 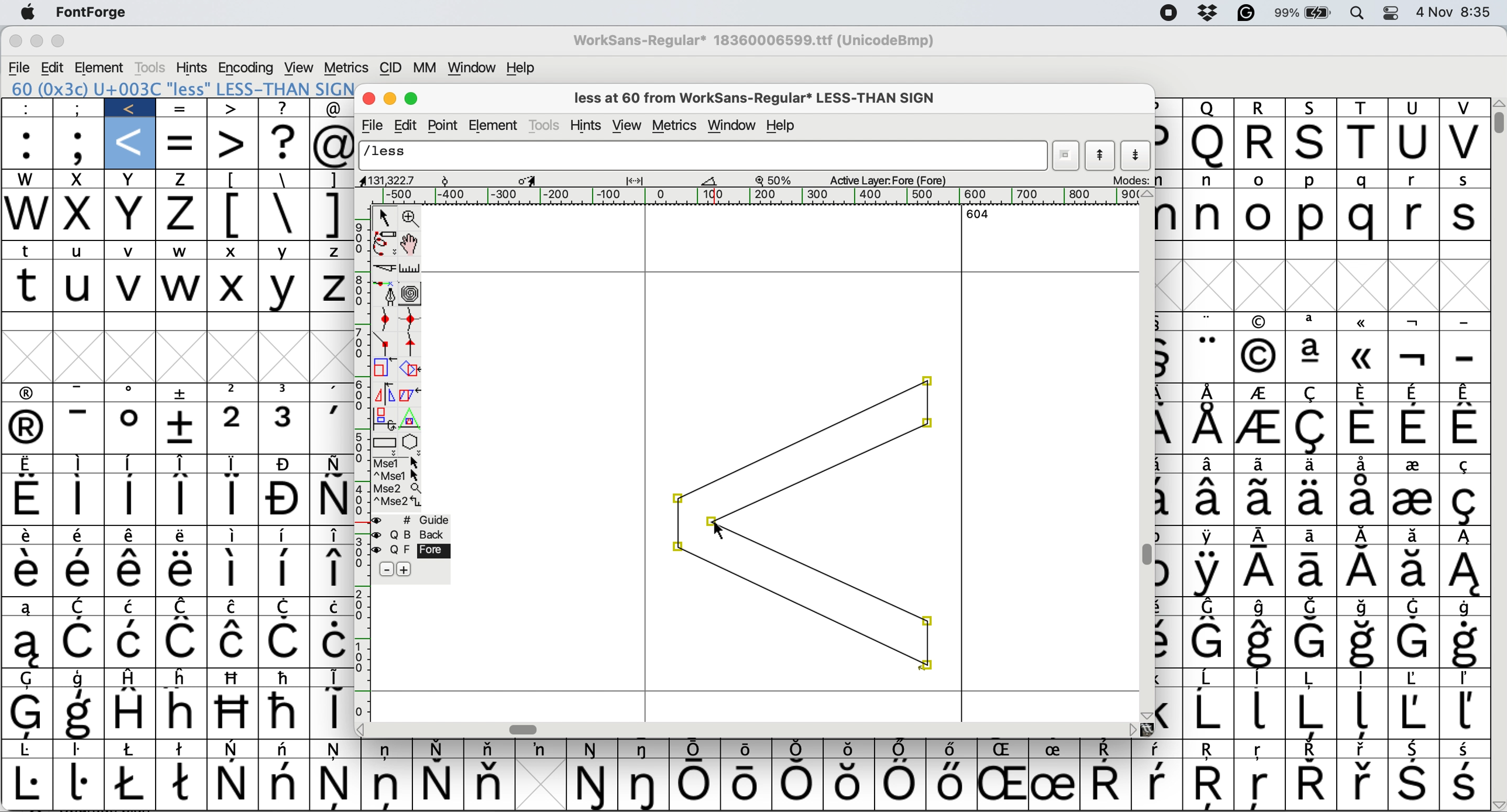 What do you see at coordinates (82, 392) in the screenshot?
I see `-` at bounding box center [82, 392].